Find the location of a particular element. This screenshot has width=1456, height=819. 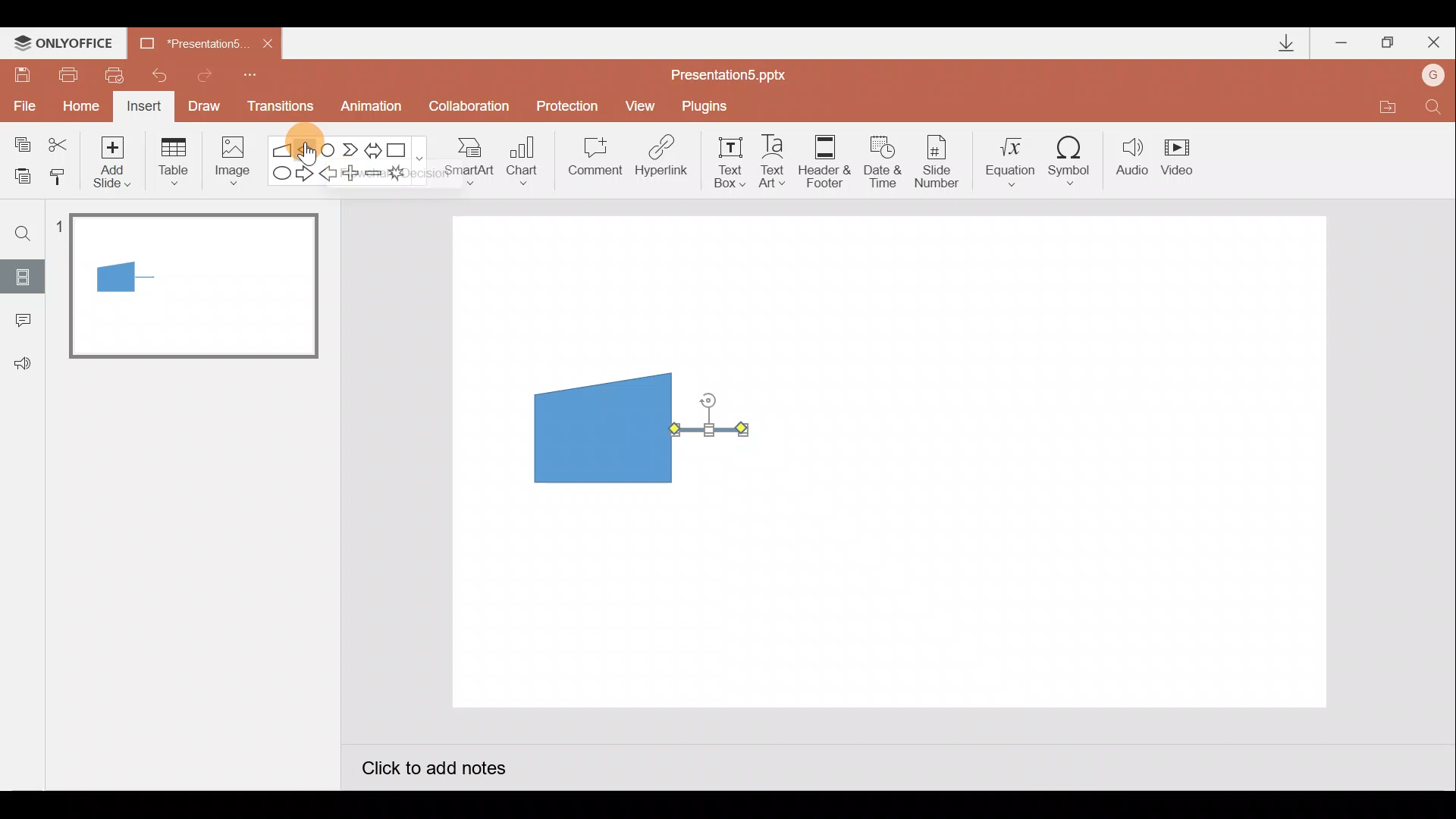

Chevron is located at coordinates (352, 150).